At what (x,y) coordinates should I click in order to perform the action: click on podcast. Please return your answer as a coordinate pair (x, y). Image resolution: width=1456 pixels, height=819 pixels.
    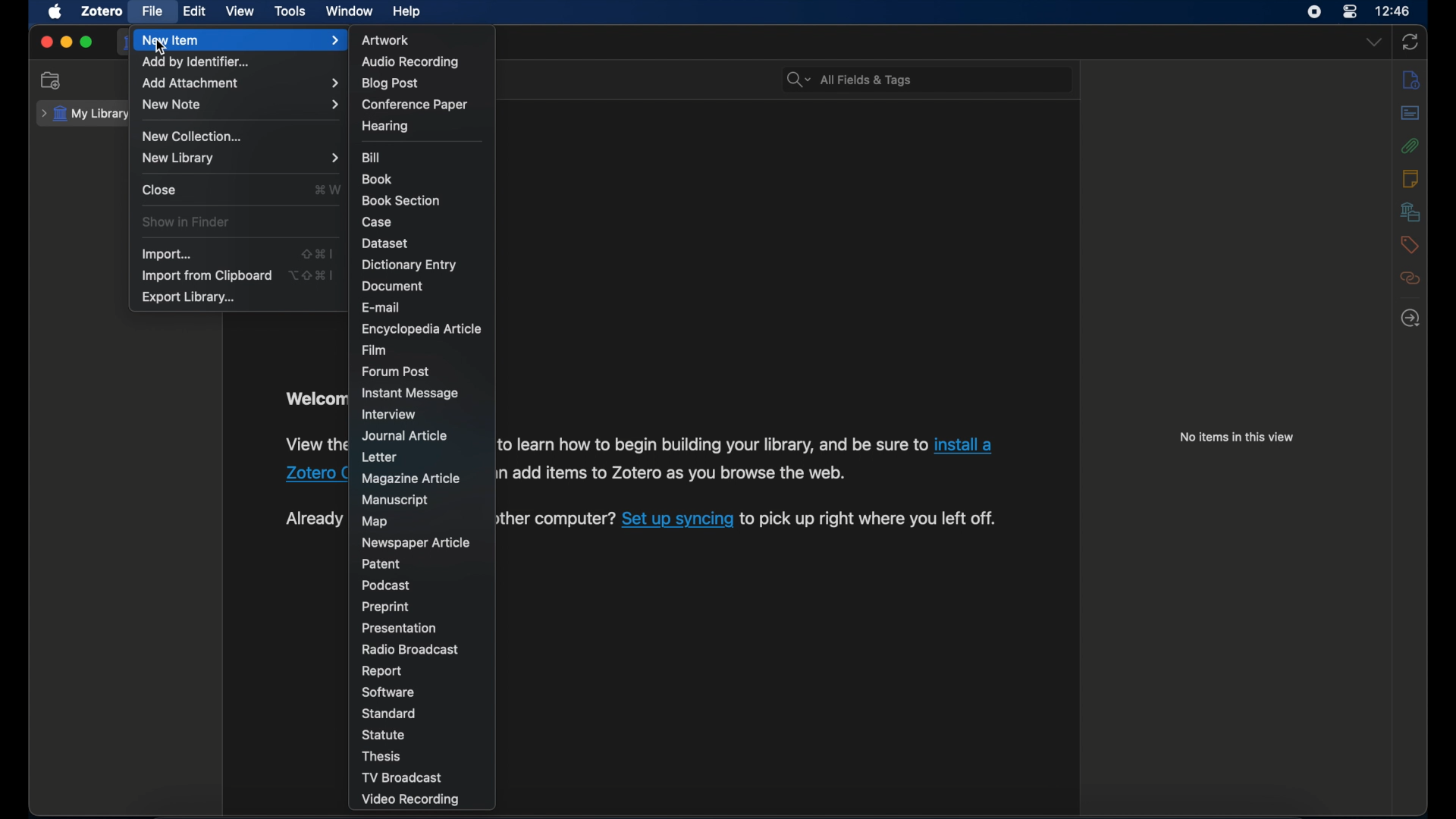
    Looking at the image, I should click on (383, 585).